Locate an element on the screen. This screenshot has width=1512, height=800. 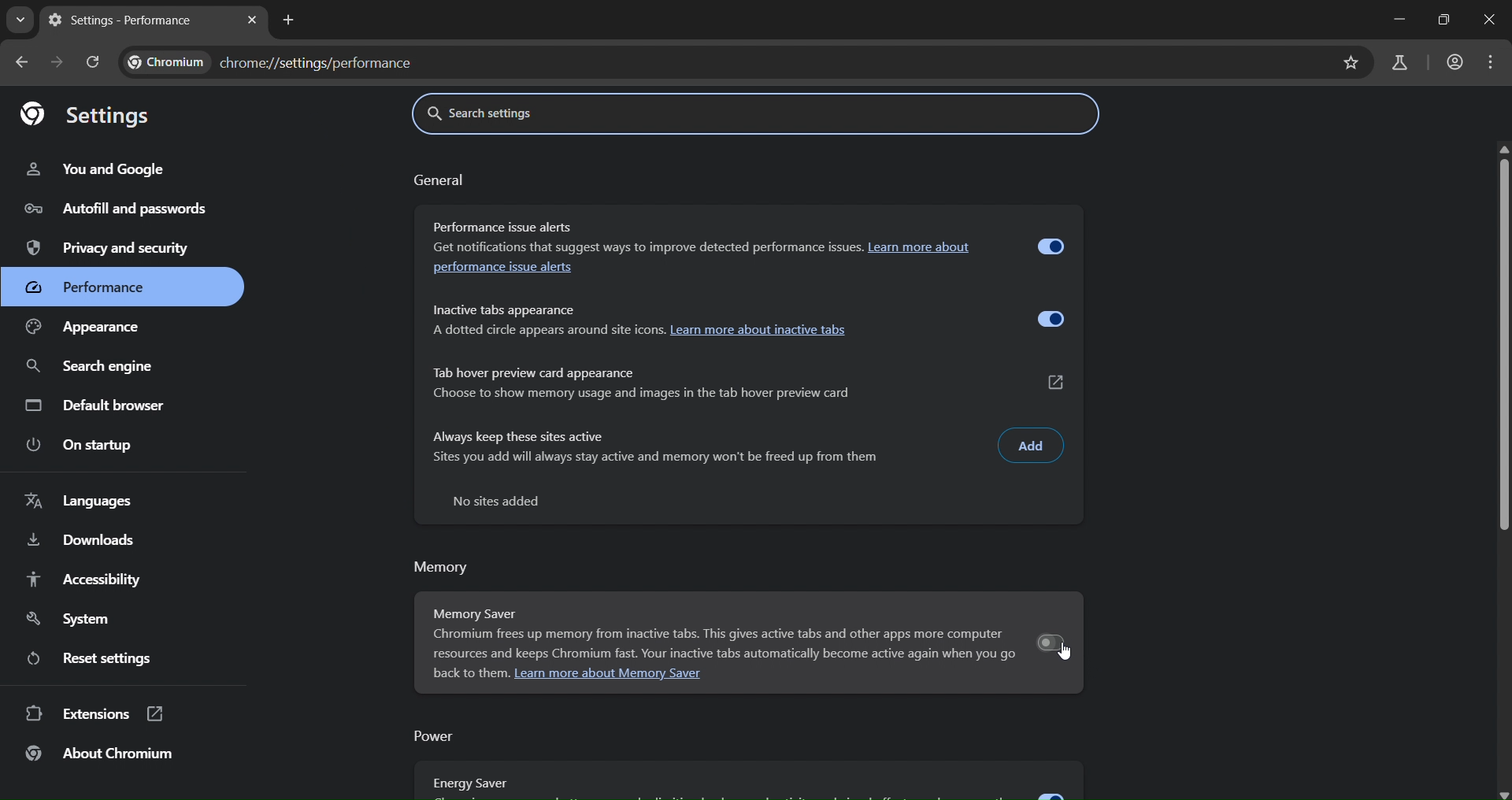
Performance is located at coordinates (124, 287).